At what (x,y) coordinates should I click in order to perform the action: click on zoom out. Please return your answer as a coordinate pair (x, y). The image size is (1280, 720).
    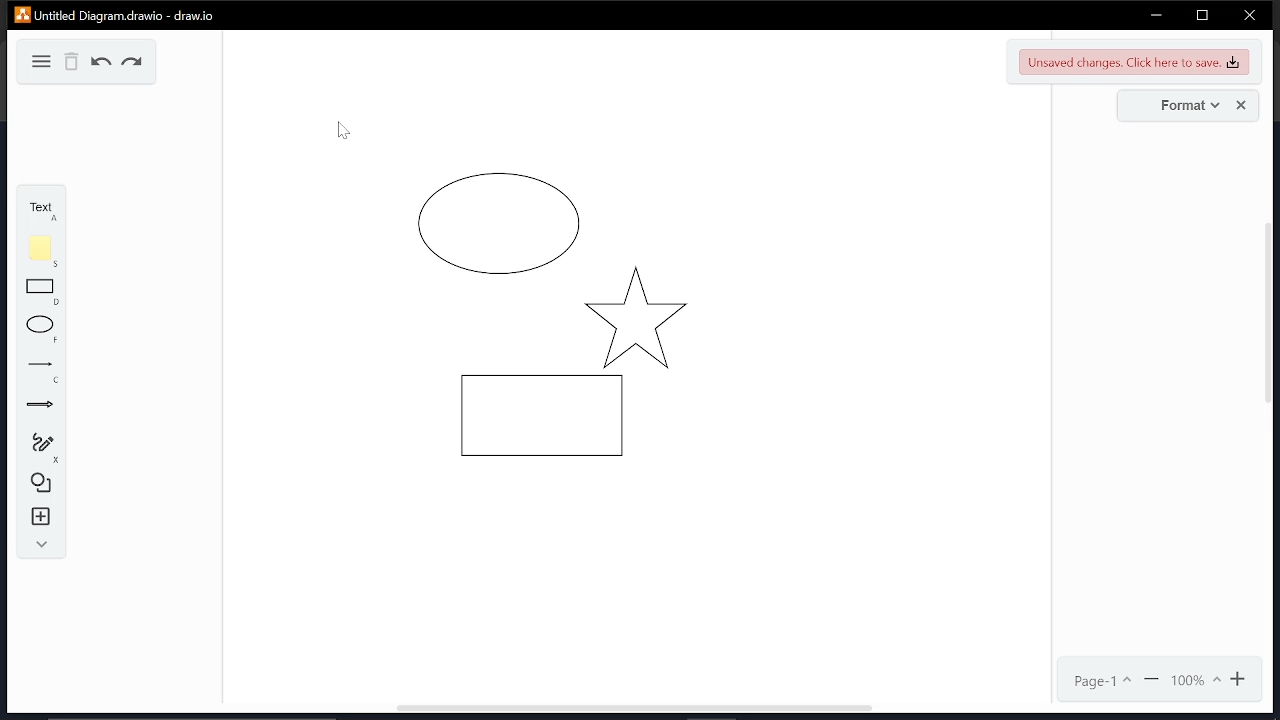
    Looking at the image, I should click on (1153, 680).